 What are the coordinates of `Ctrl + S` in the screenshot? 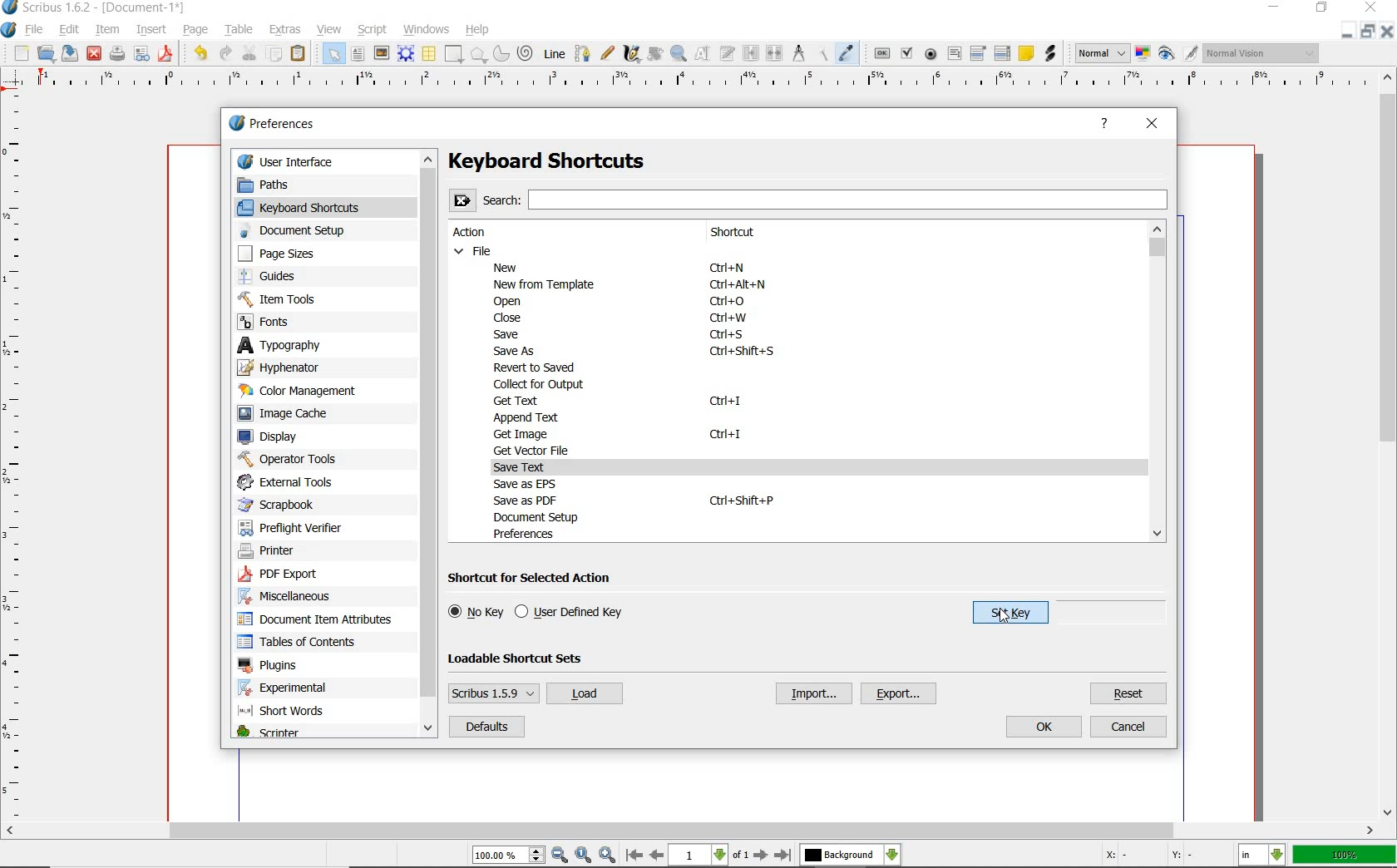 It's located at (728, 335).